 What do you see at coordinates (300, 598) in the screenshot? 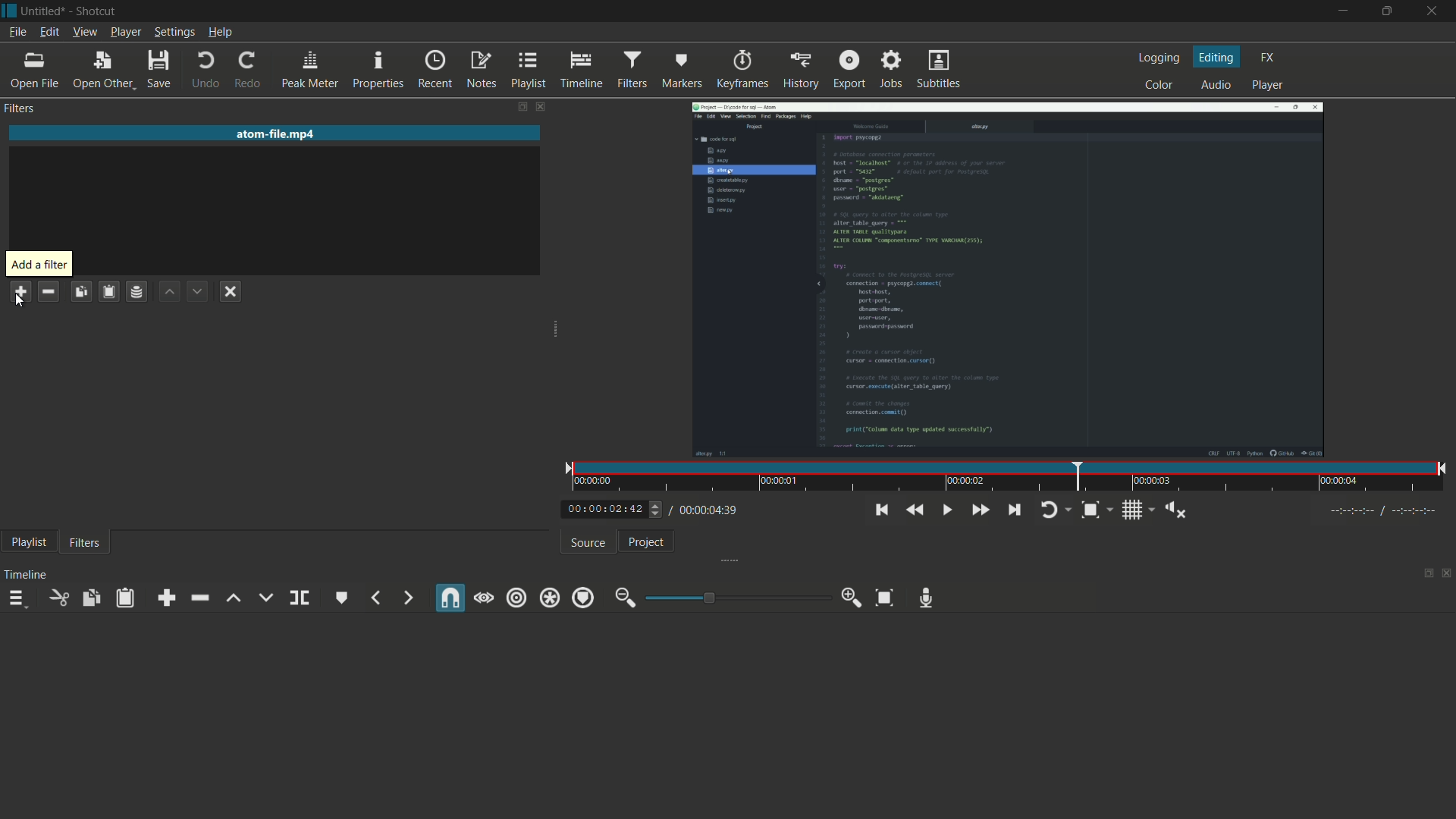
I see `split at playhead` at bounding box center [300, 598].